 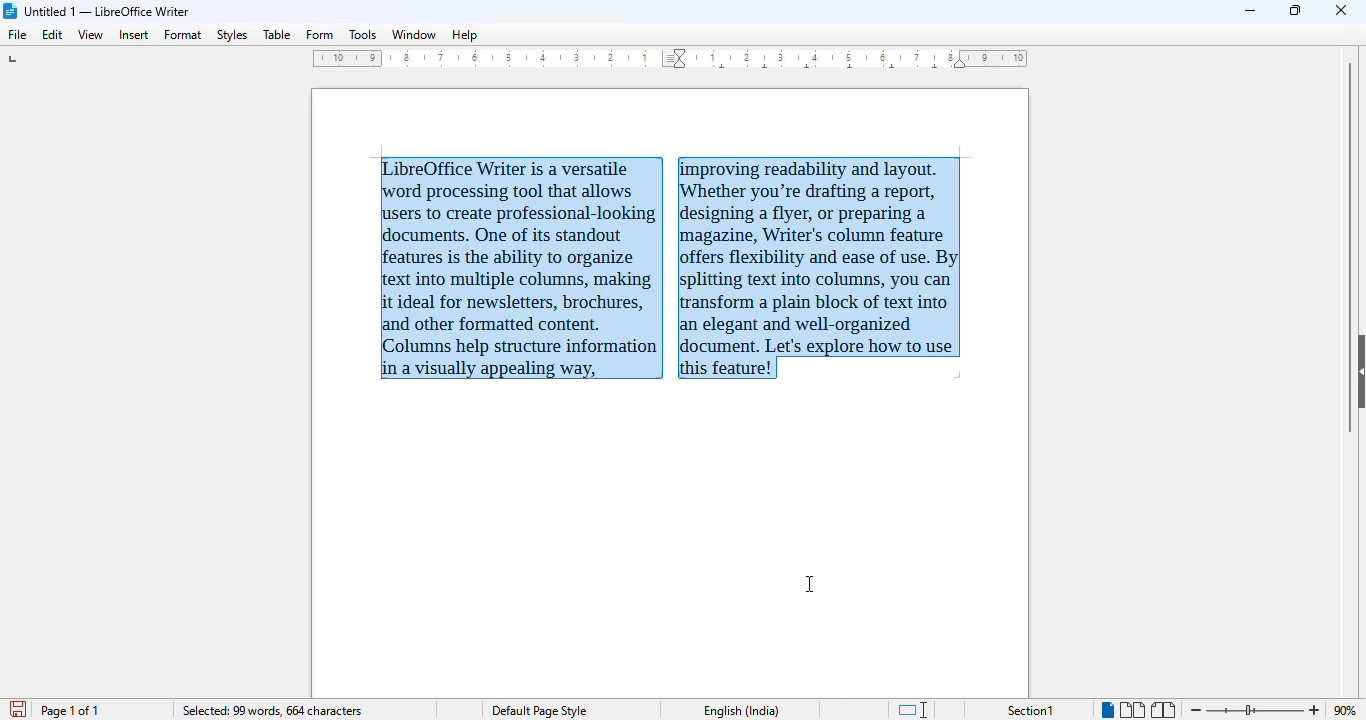 I want to click on vertical scroll bar, so click(x=1350, y=246).